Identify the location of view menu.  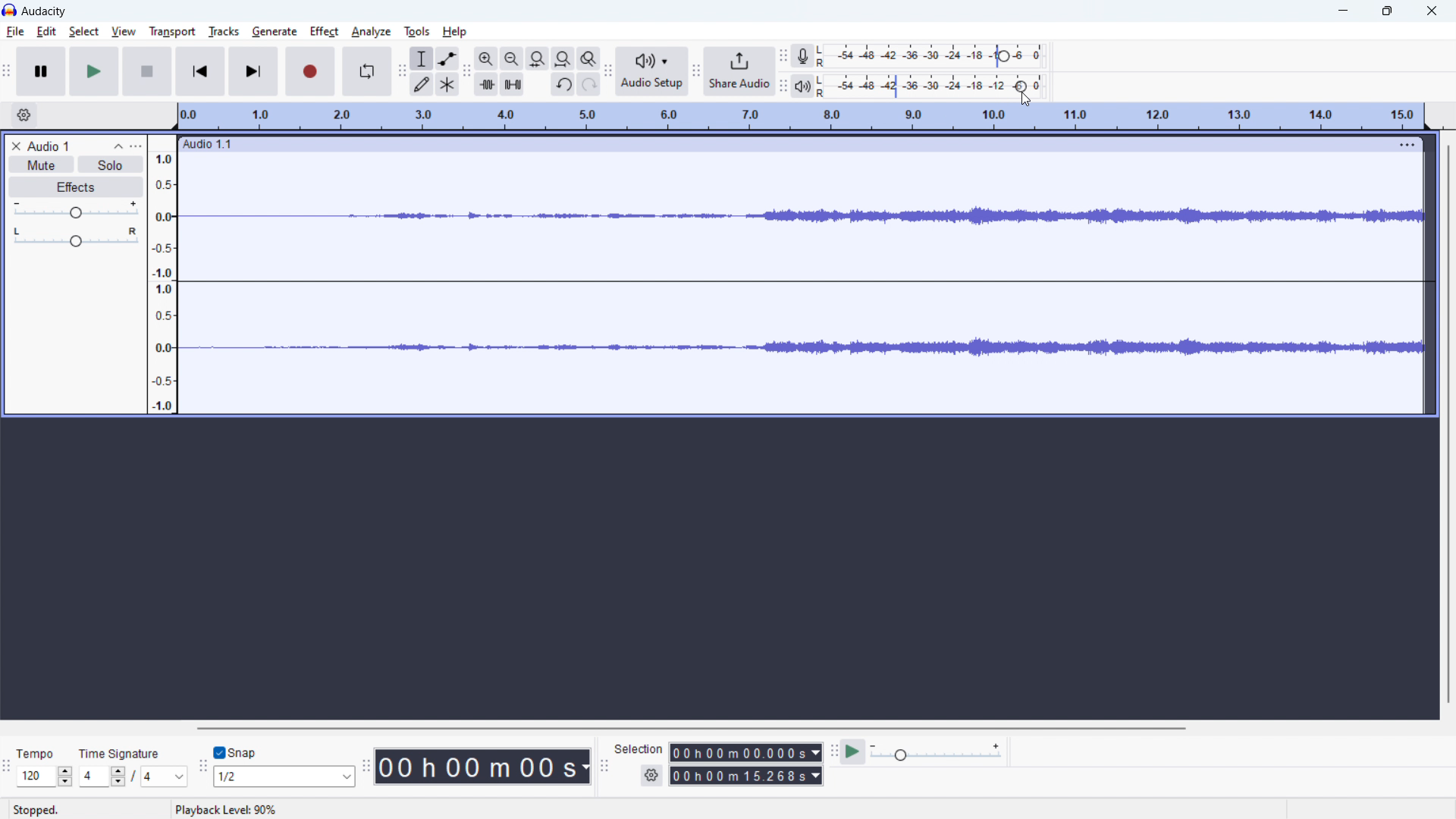
(136, 146).